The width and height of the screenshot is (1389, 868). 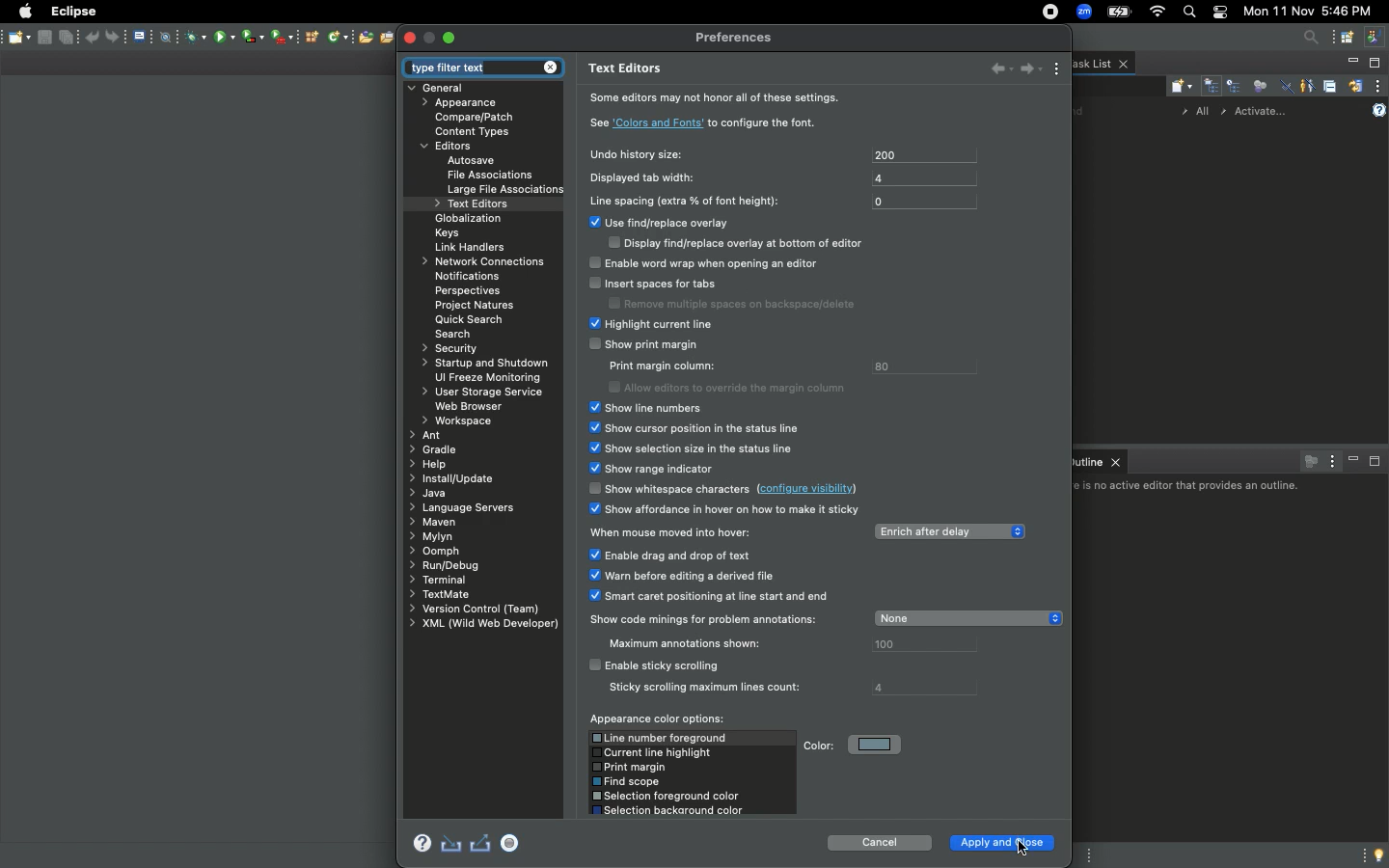 What do you see at coordinates (483, 362) in the screenshot?
I see `Startup and shutdown` at bounding box center [483, 362].